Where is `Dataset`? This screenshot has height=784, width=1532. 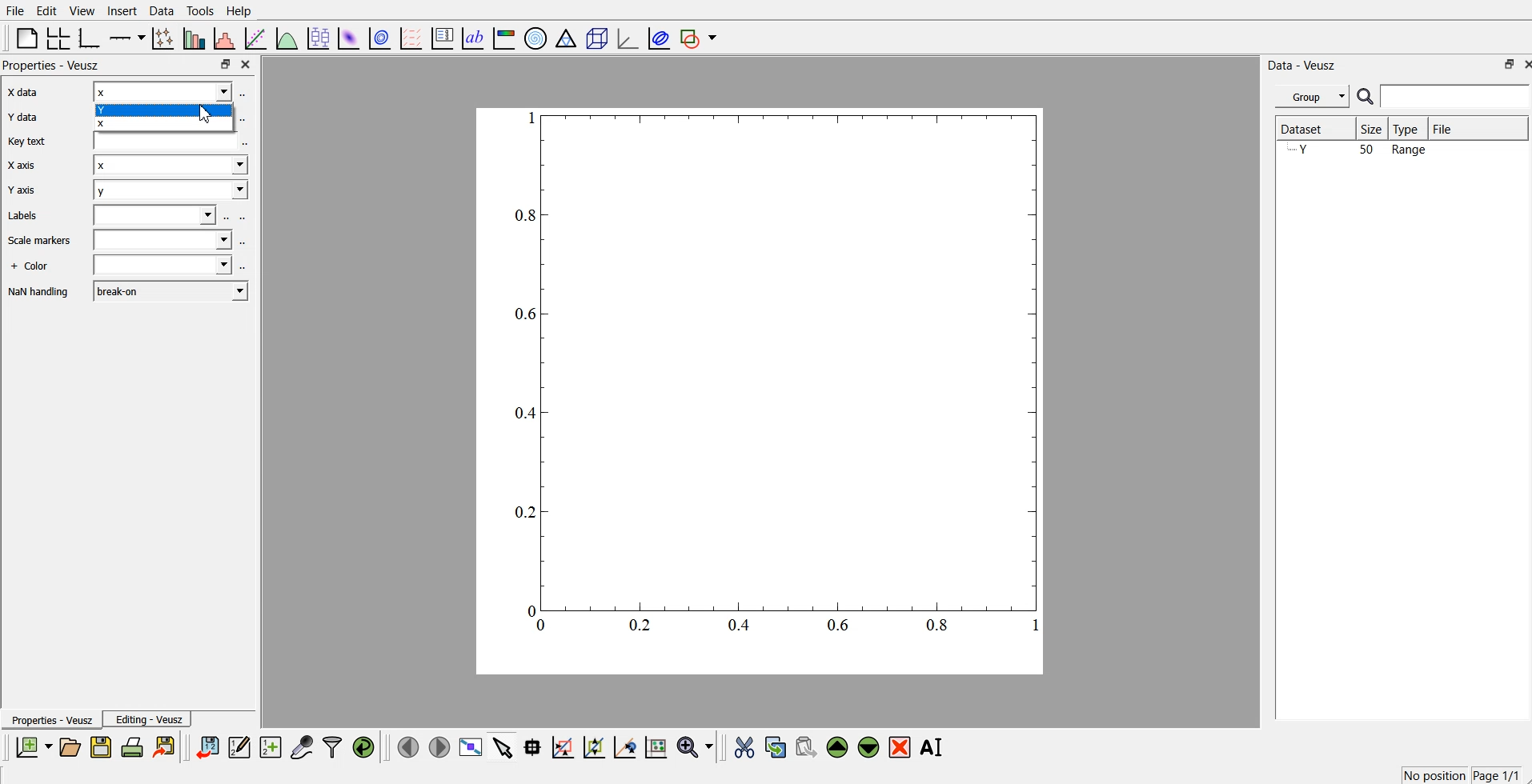 Dataset is located at coordinates (1307, 126).